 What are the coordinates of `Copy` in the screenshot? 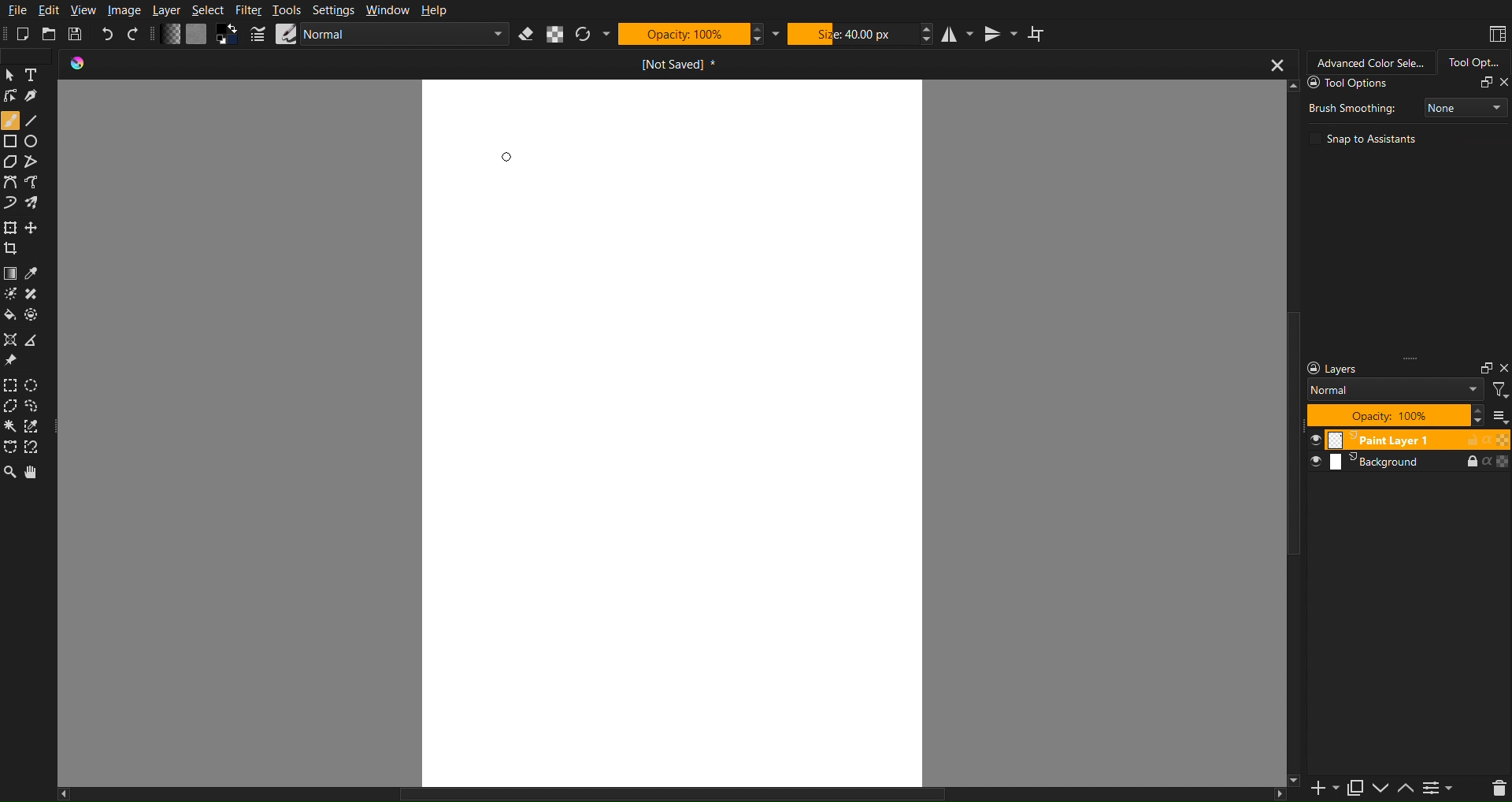 It's located at (1357, 789).